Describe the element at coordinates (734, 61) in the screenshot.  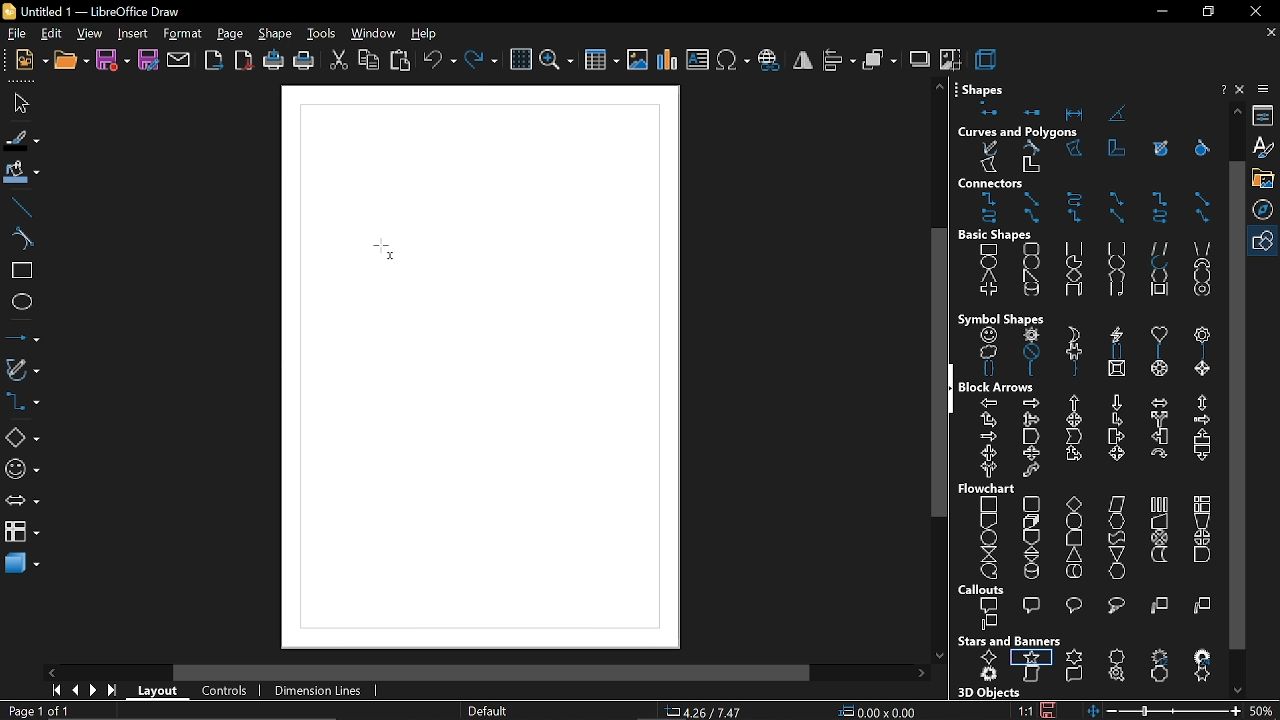
I see `insert symbol` at that location.